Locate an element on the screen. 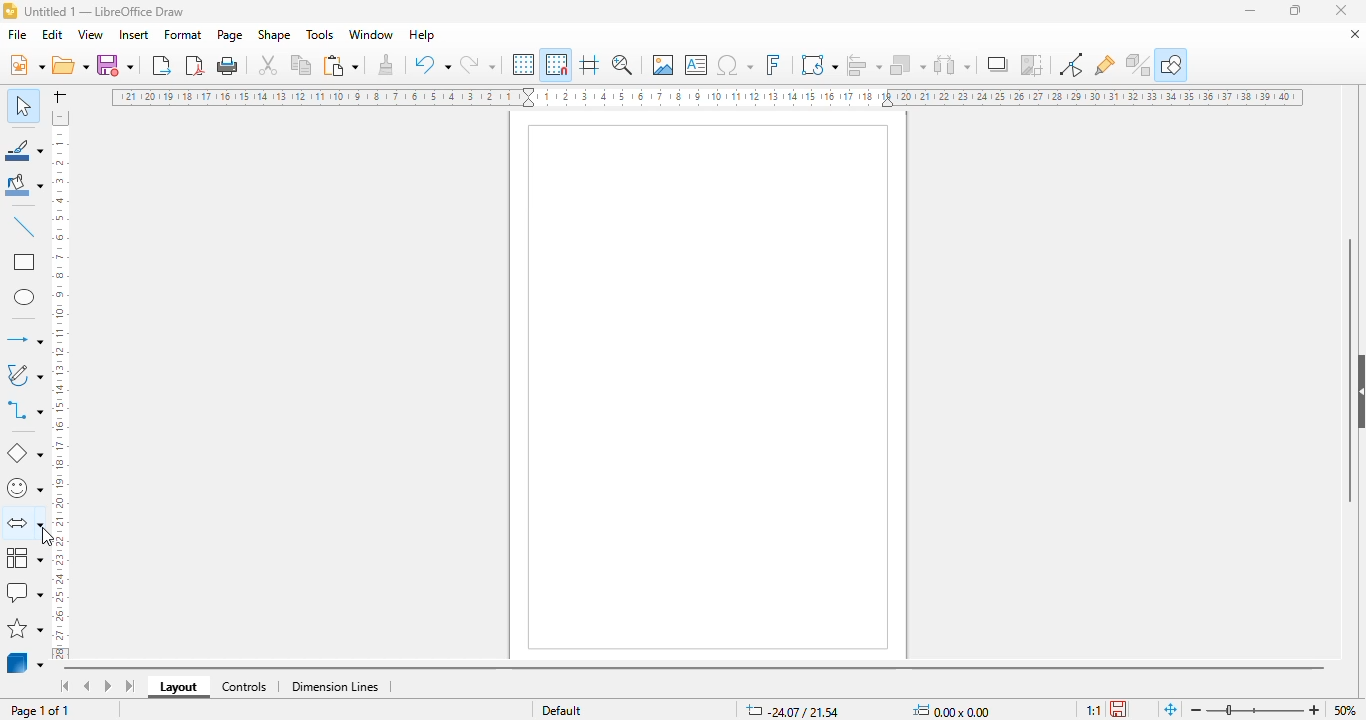 The width and height of the screenshot is (1366, 720). cut is located at coordinates (268, 65).